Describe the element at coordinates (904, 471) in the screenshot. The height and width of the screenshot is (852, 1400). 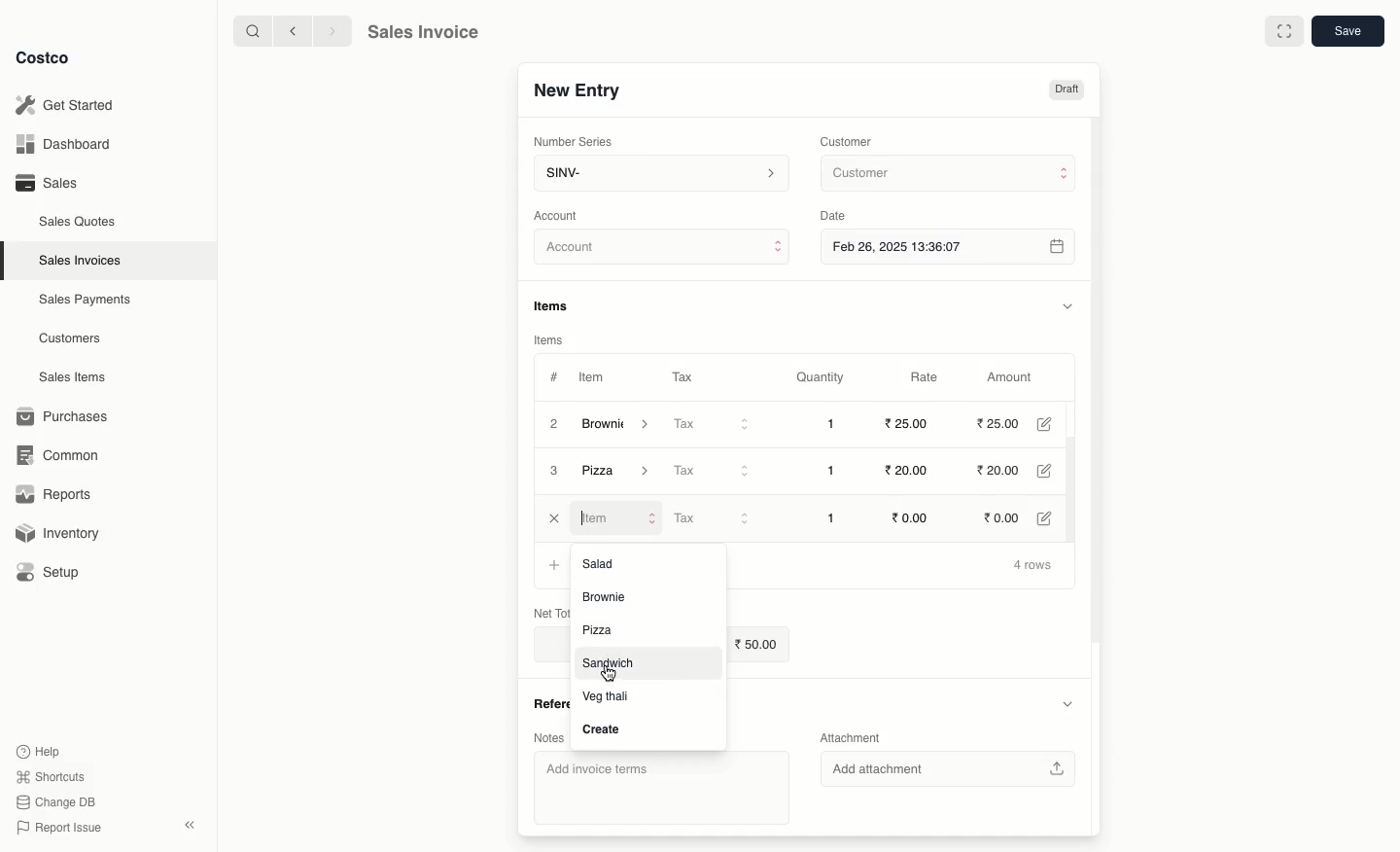
I see `20.00` at that location.